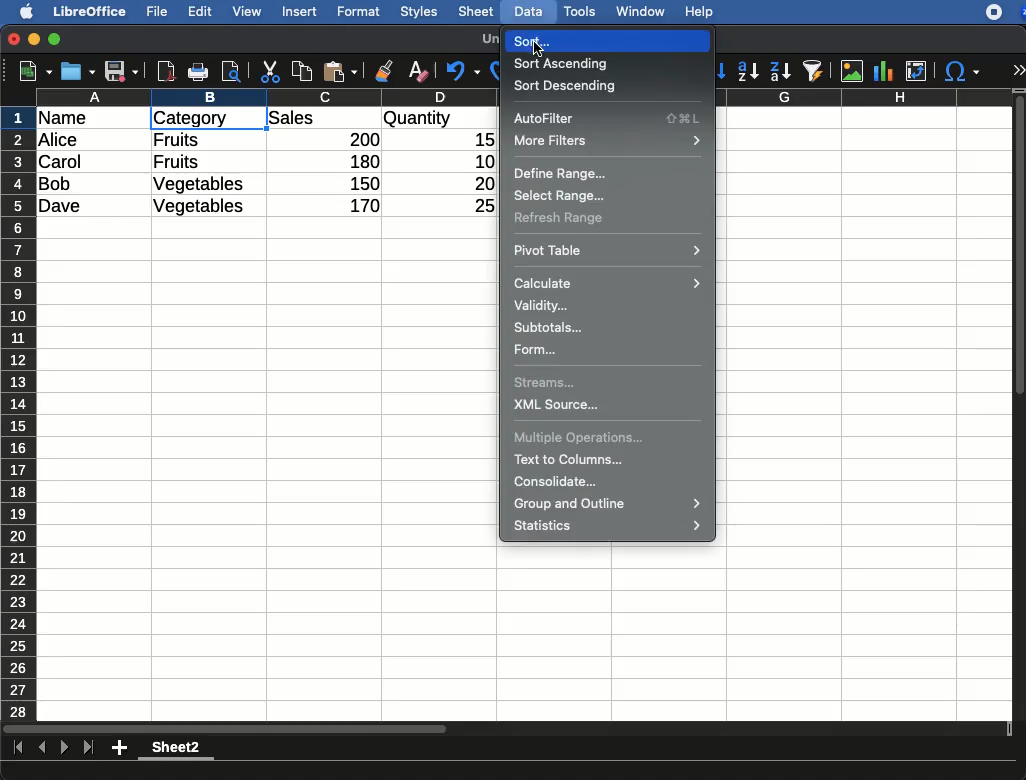  I want to click on Dave, so click(64, 207).